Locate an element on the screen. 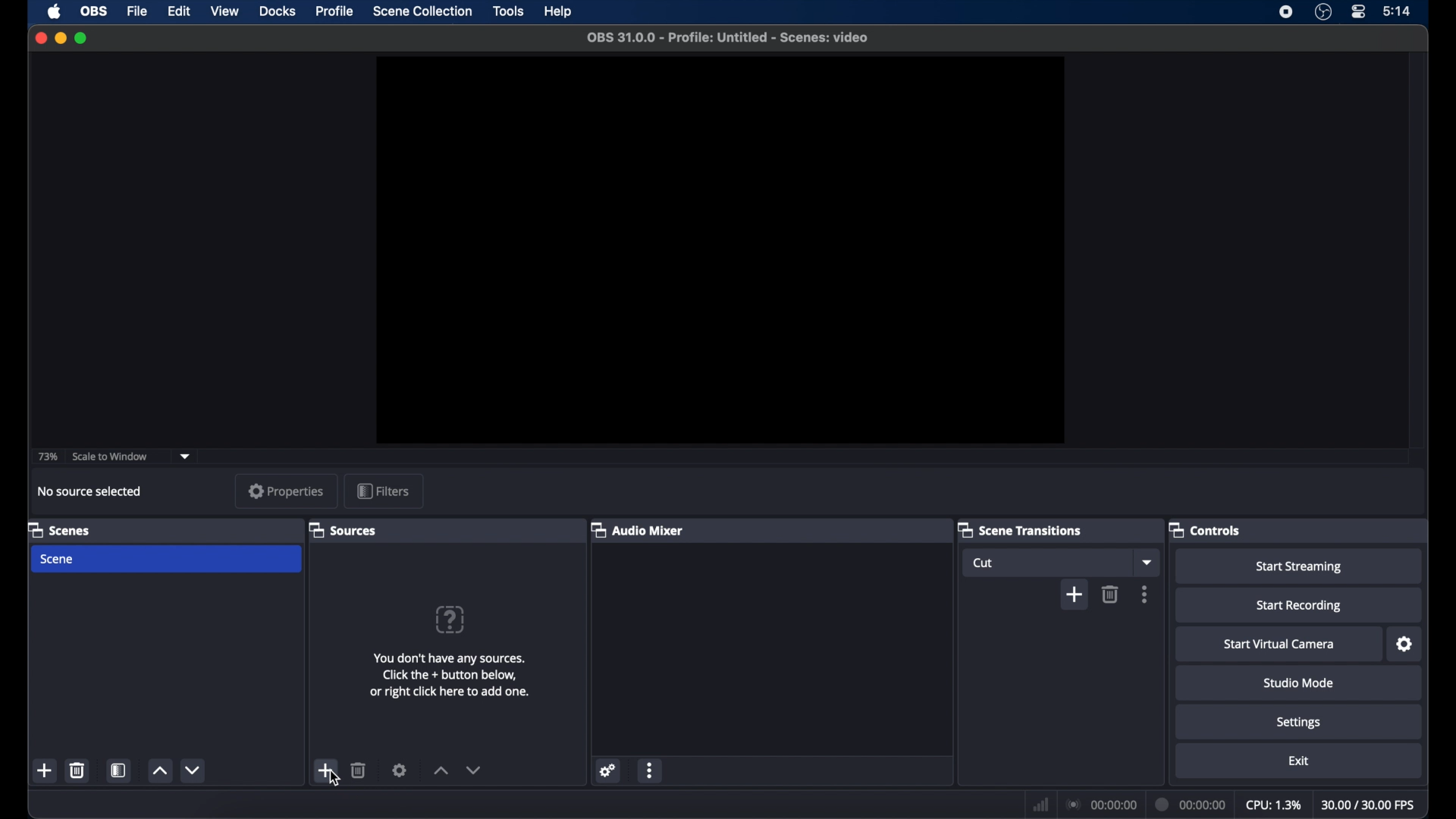 The height and width of the screenshot is (819, 1456). studio mode is located at coordinates (1300, 683).